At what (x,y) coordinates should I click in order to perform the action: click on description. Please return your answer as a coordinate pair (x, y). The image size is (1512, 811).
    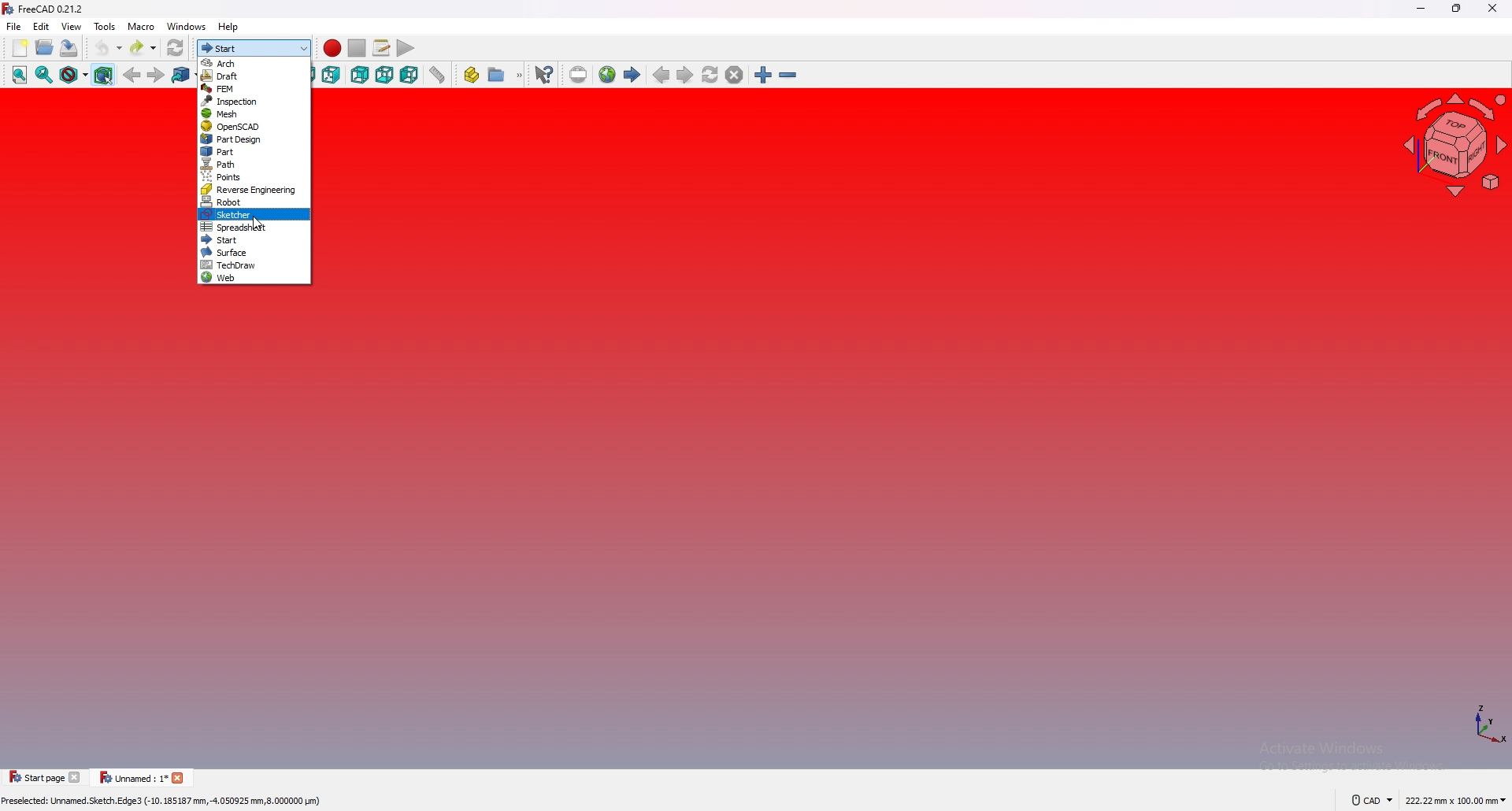
    Looking at the image, I should click on (162, 802).